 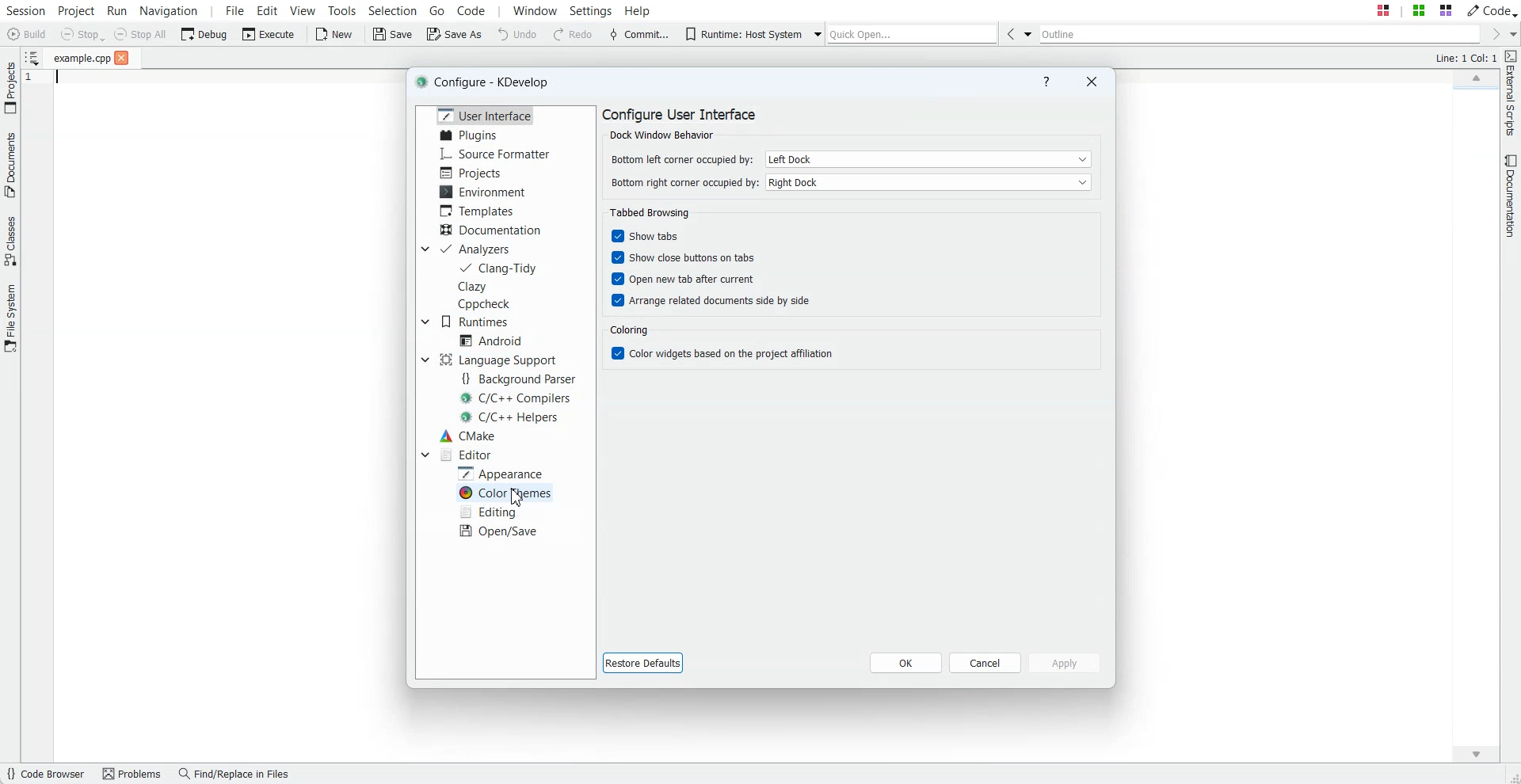 I want to click on File, so click(x=82, y=59).